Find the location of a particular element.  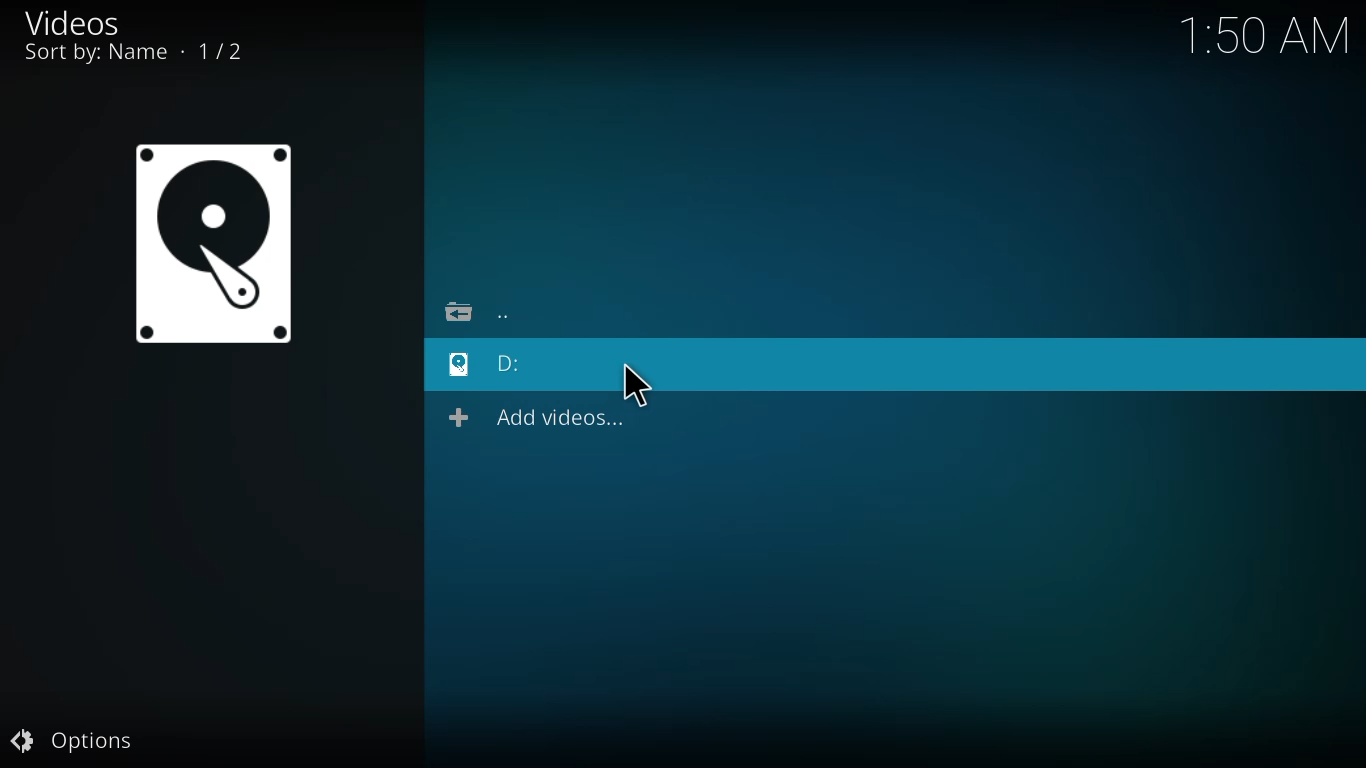

cursor is located at coordinates (639, 384).